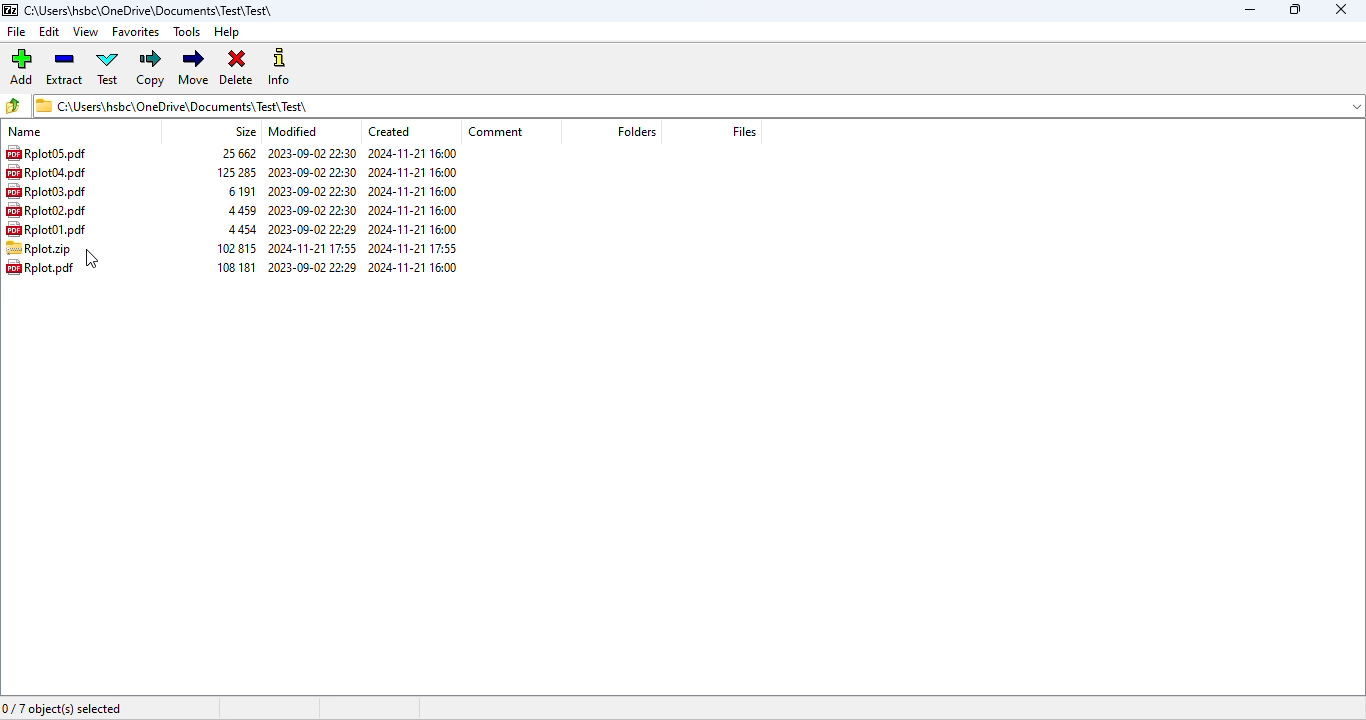 The image size is (1366, 720). I want to click on size, so click(245, 131).